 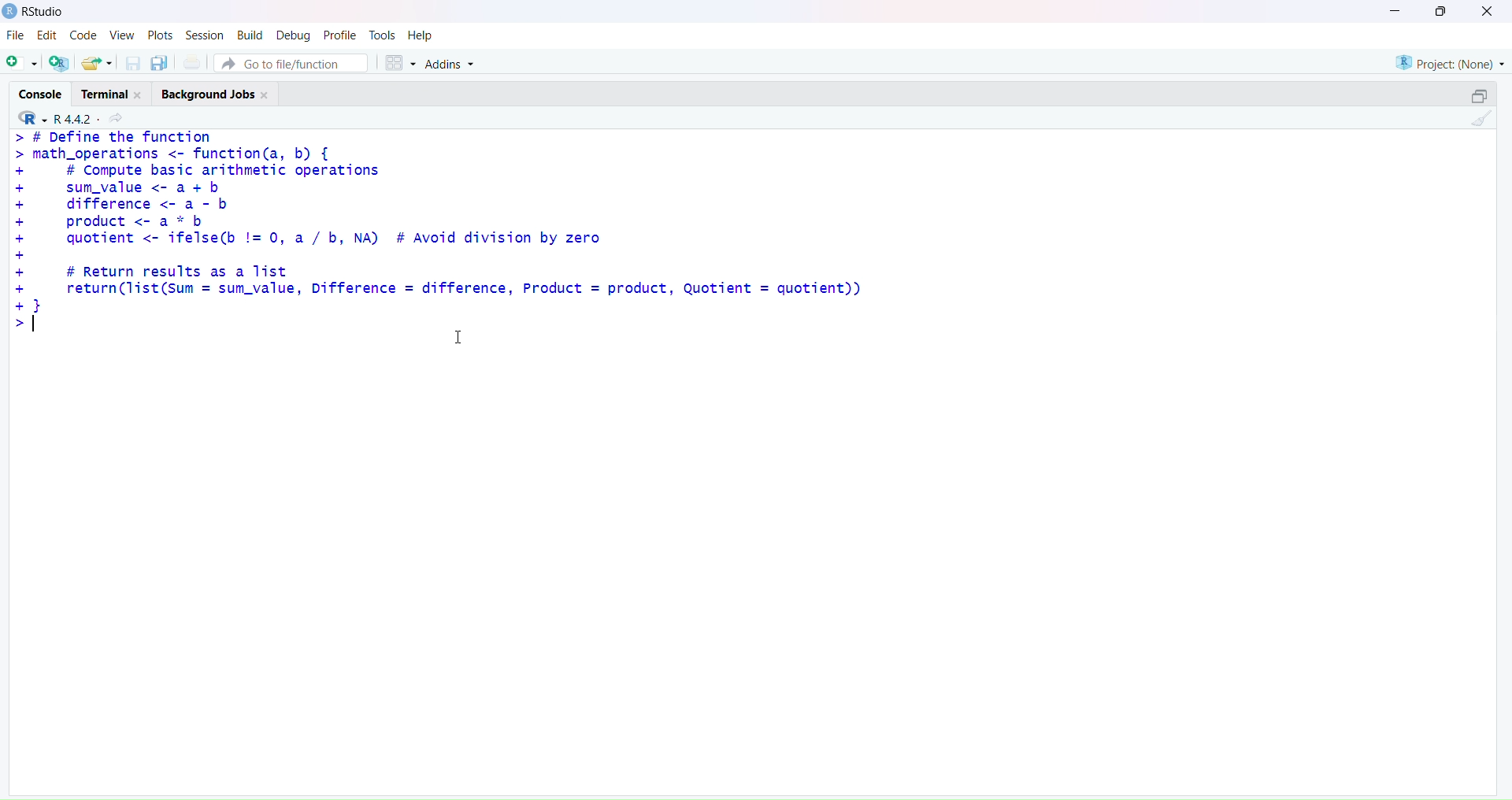 What do you see at coordinates (202, 32) in the screenshot?
I see `Session` at bounding box center [202, 32].